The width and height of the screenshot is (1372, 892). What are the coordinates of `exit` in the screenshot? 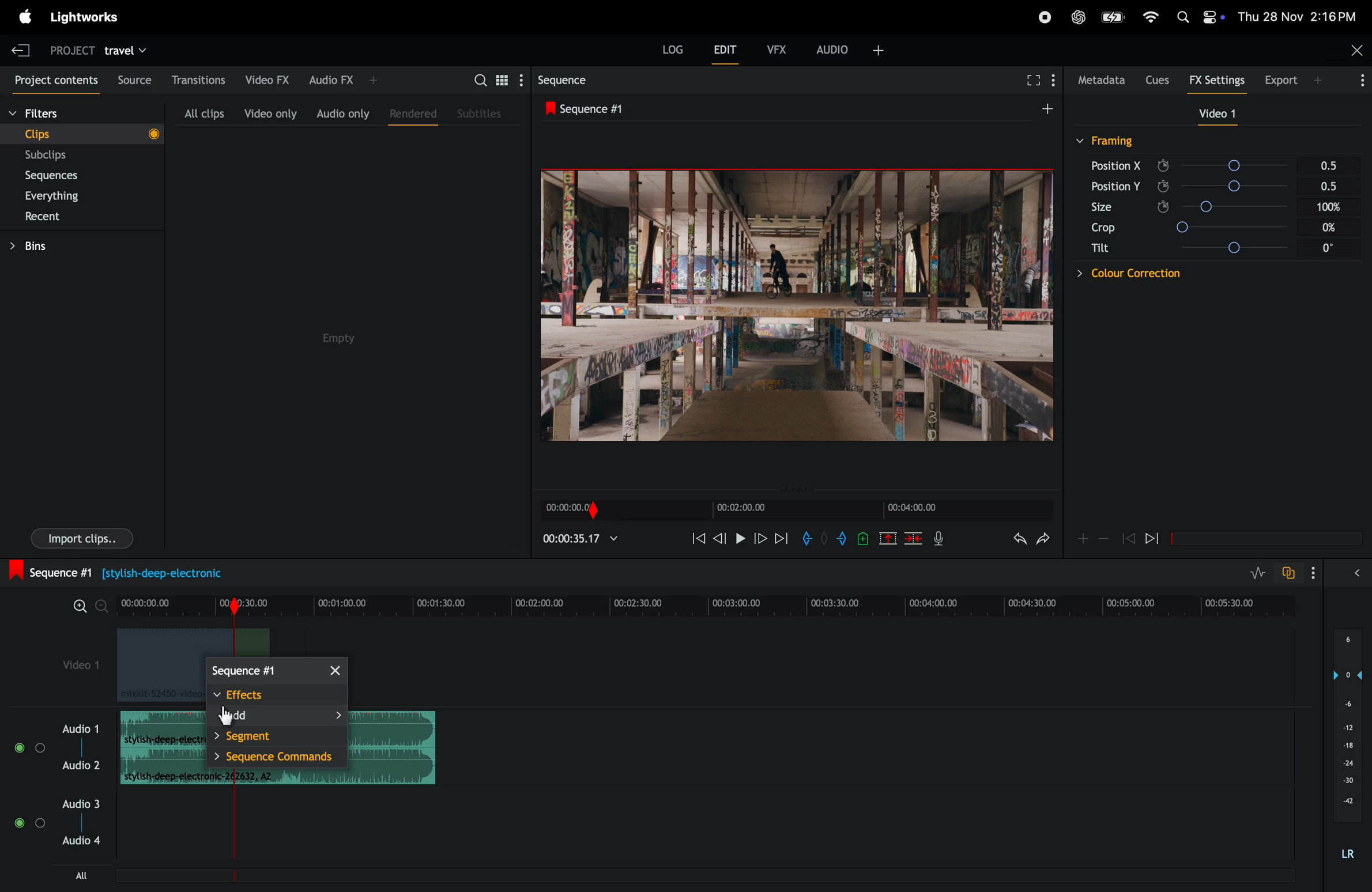 It's located at (17, 49).